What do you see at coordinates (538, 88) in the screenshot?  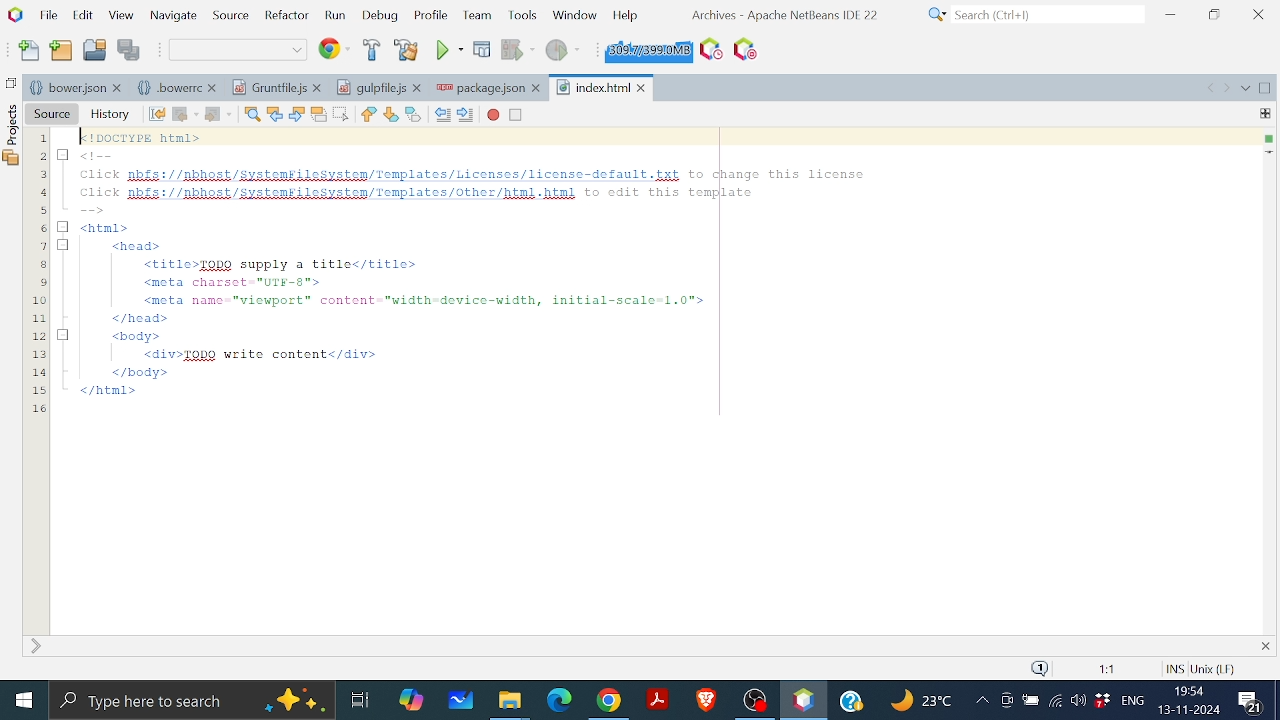 I see `close` at bounding box center [538, 88].